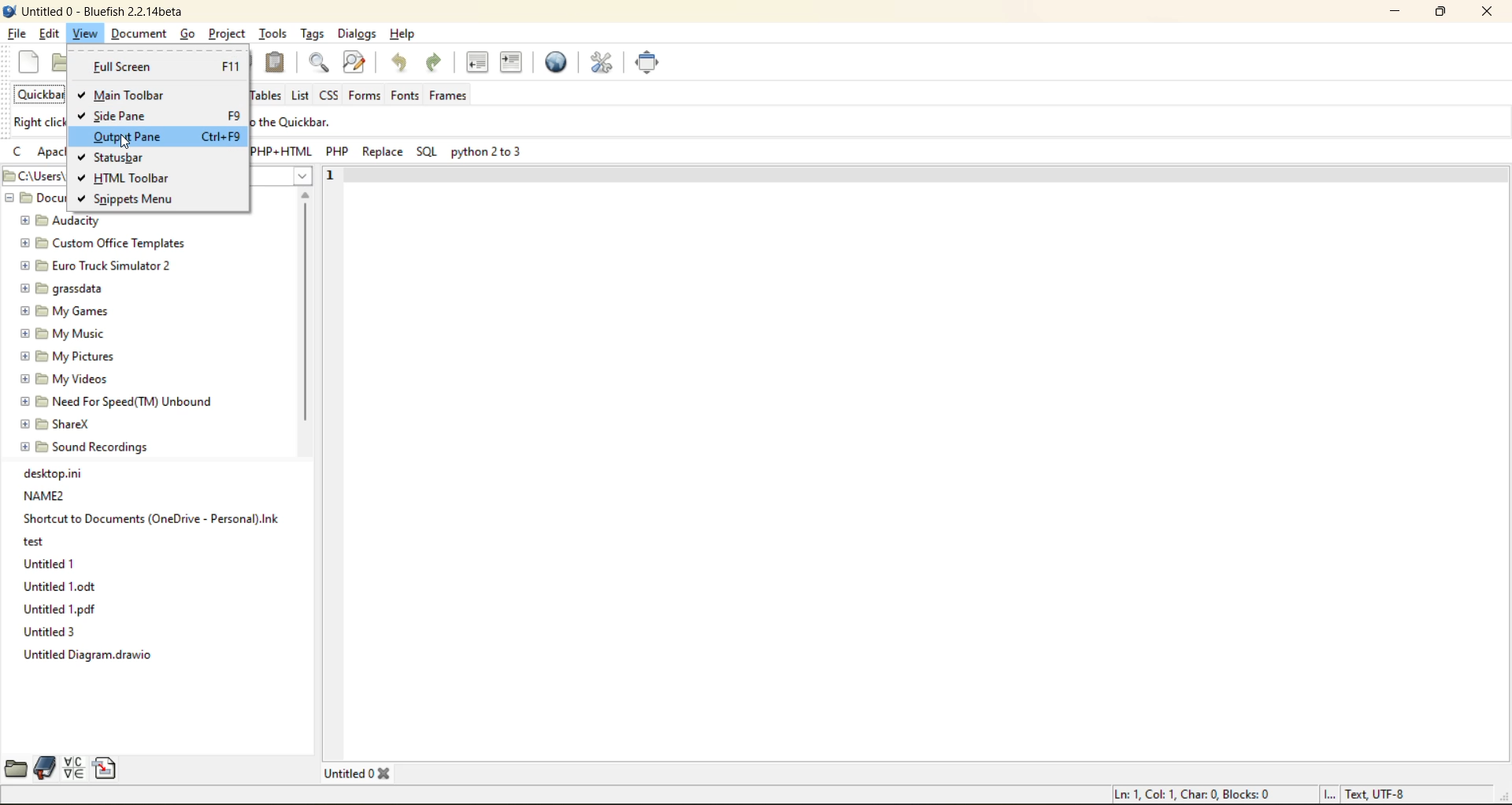 This screenshot has height=805, width=1512. What do you see at coordinates (61, 289) in the screenshot?
I see `grassdata` at bounding box center [61, 289].